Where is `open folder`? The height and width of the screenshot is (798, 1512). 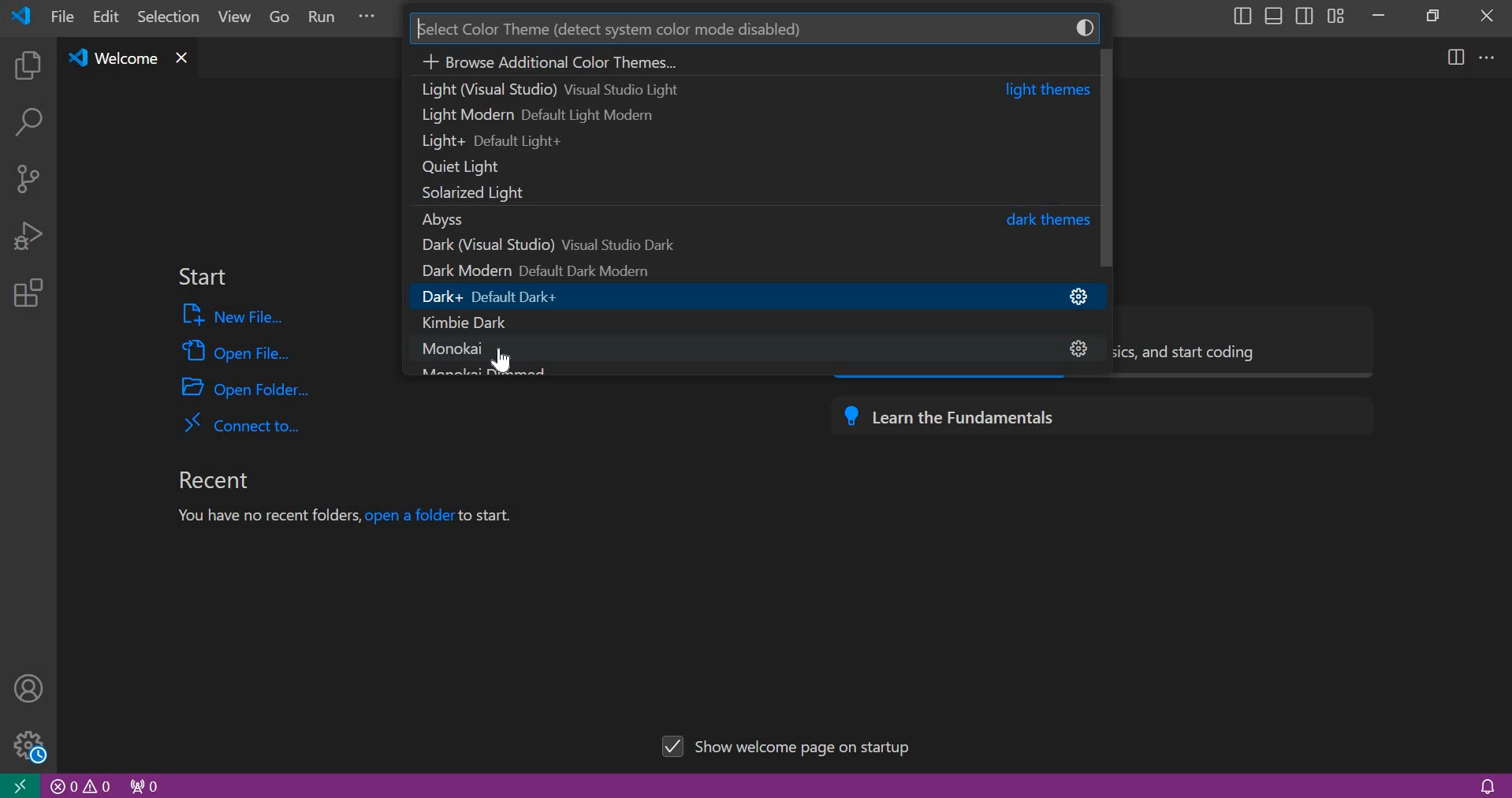
open folder is located at coordinates (248, 386).